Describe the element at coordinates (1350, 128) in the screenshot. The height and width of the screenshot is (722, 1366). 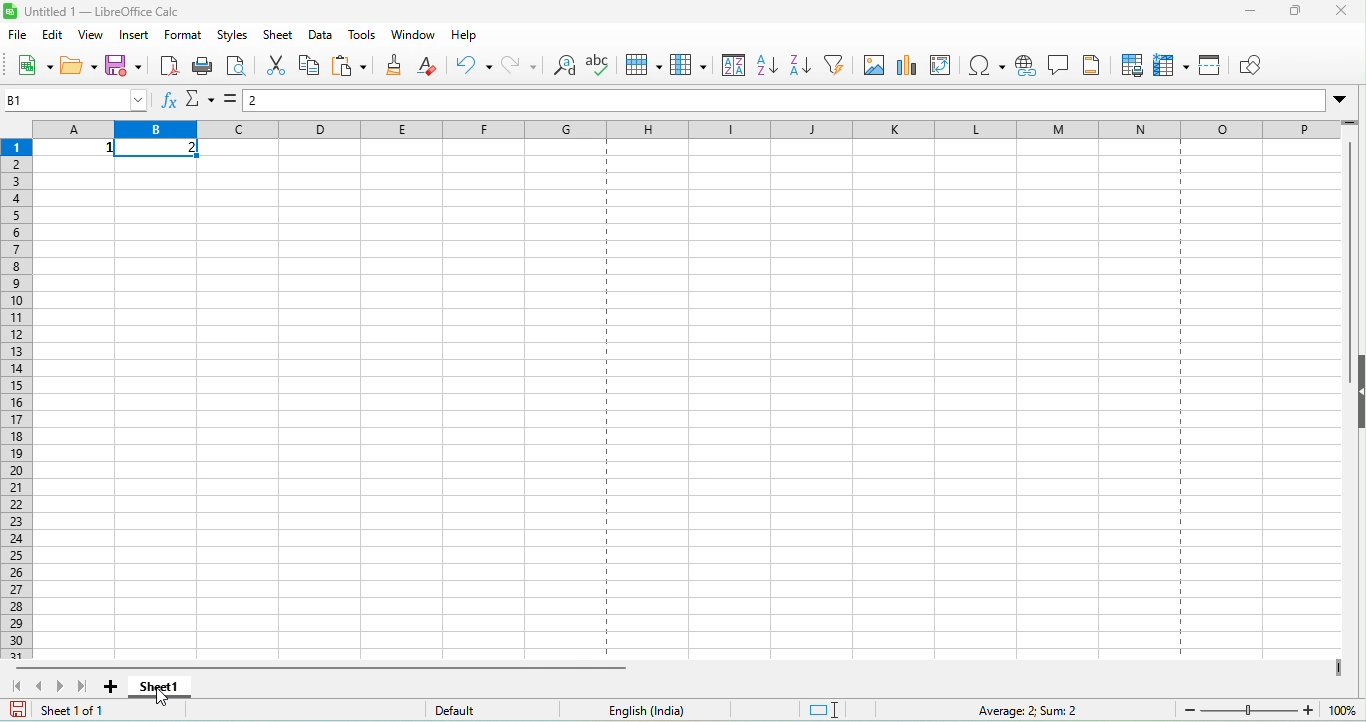
I see `rag to view rows` at that location.